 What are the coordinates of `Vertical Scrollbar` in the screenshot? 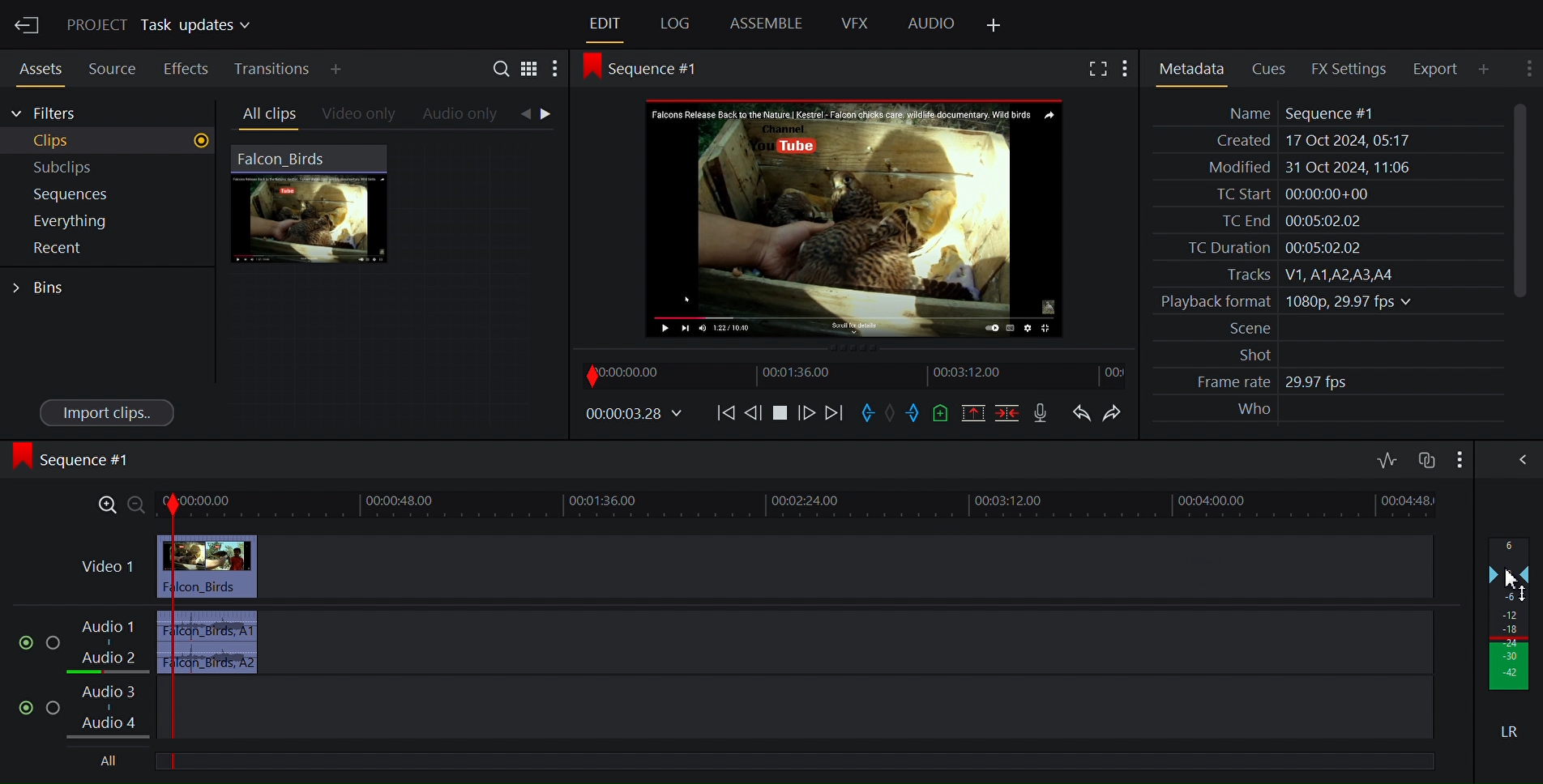 It's located at (1515, 201).